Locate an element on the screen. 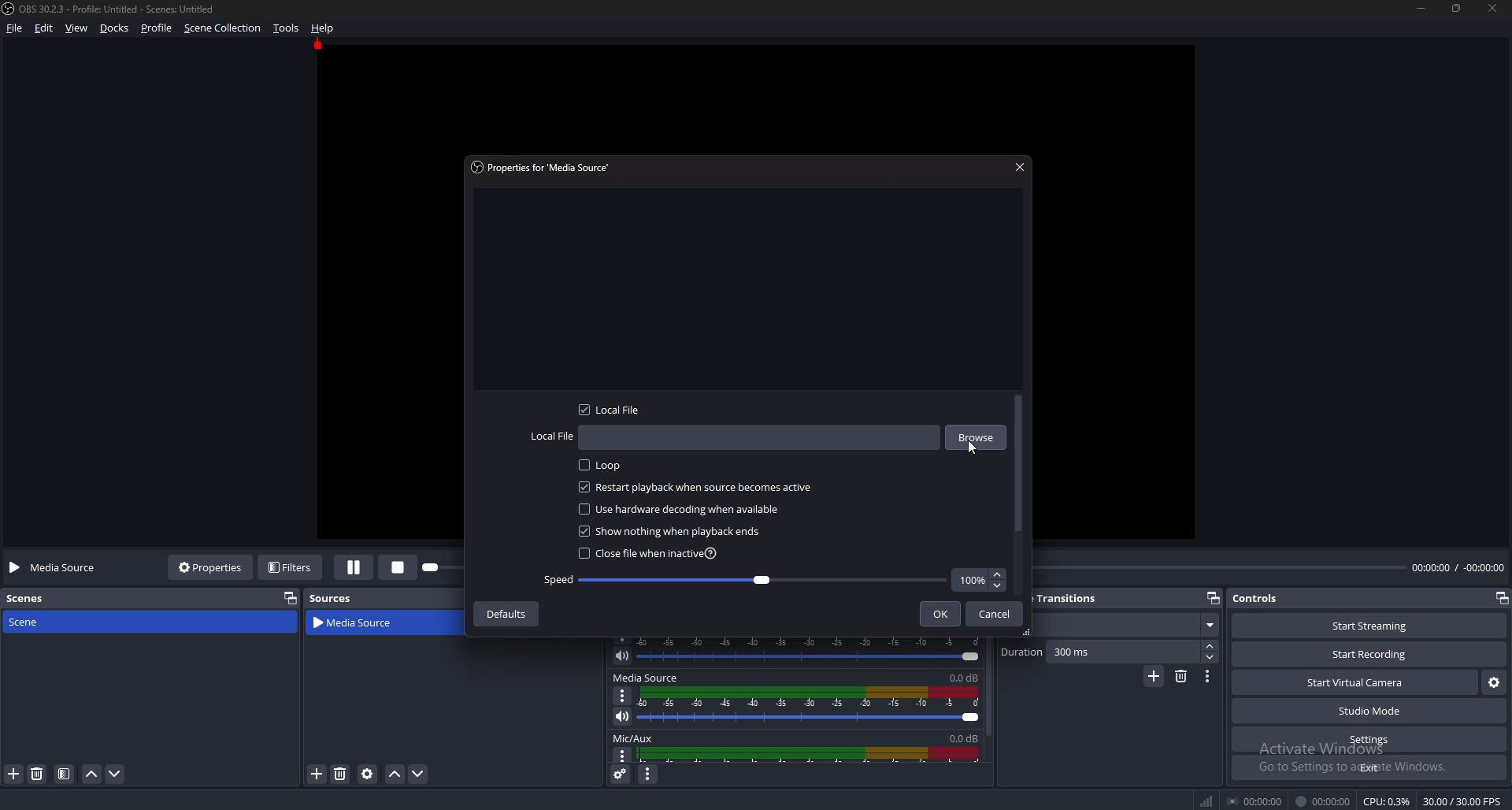  Close file when inactive is located at coordinates (650, 554).